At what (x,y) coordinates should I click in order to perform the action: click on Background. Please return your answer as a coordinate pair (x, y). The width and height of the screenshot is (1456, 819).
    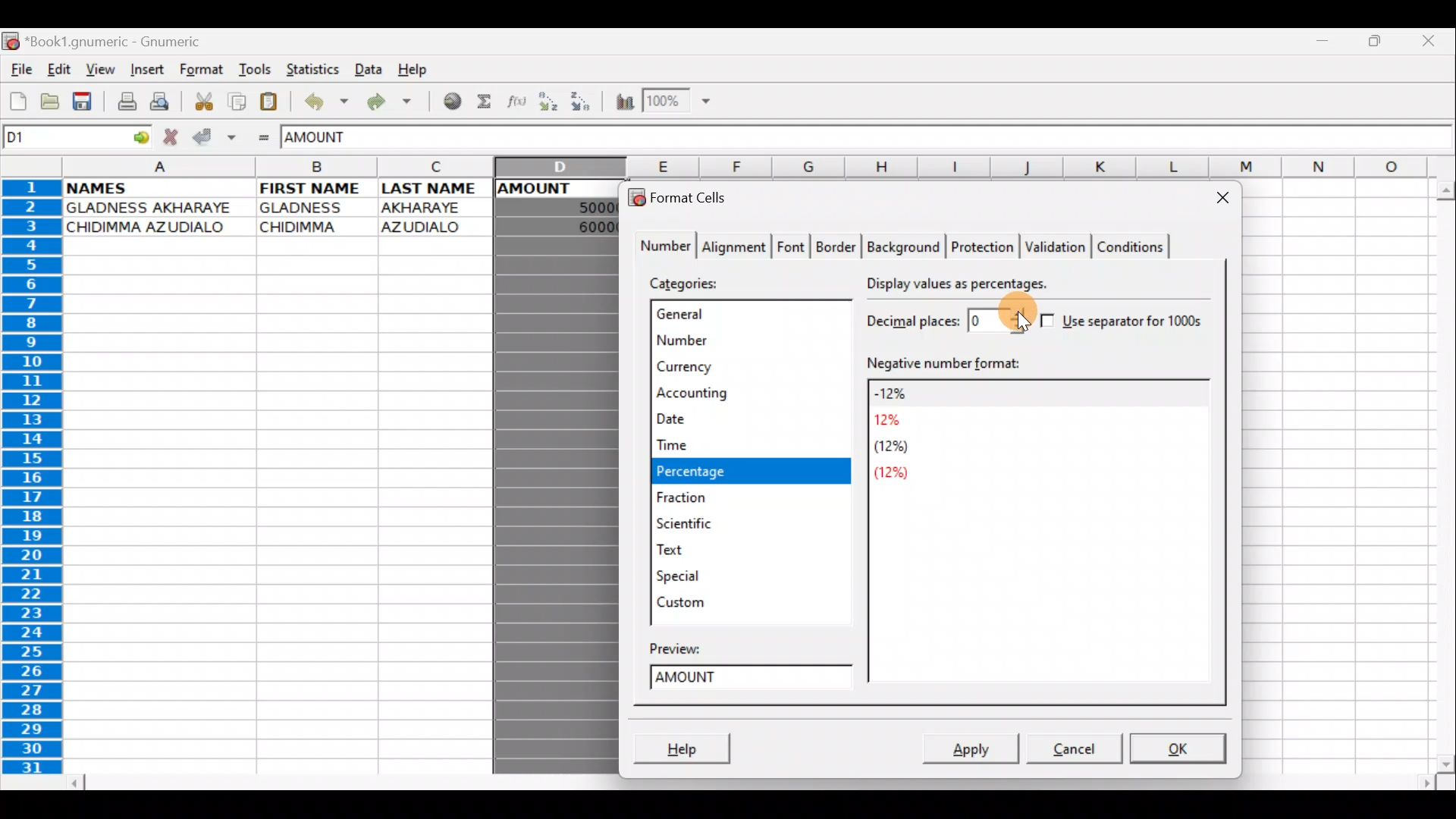
    Looking at the image, I should click on (902, 246).